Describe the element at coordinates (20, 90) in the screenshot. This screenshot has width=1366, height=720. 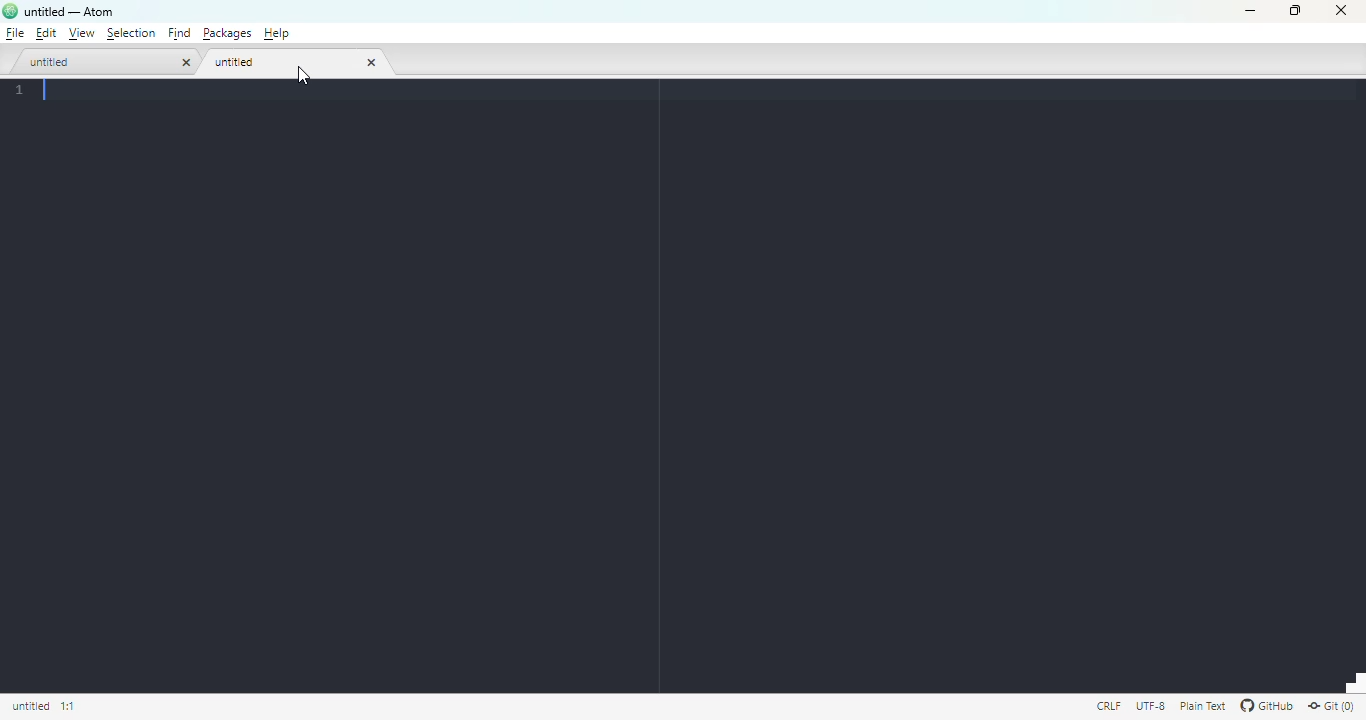
I see `page number` at that location.